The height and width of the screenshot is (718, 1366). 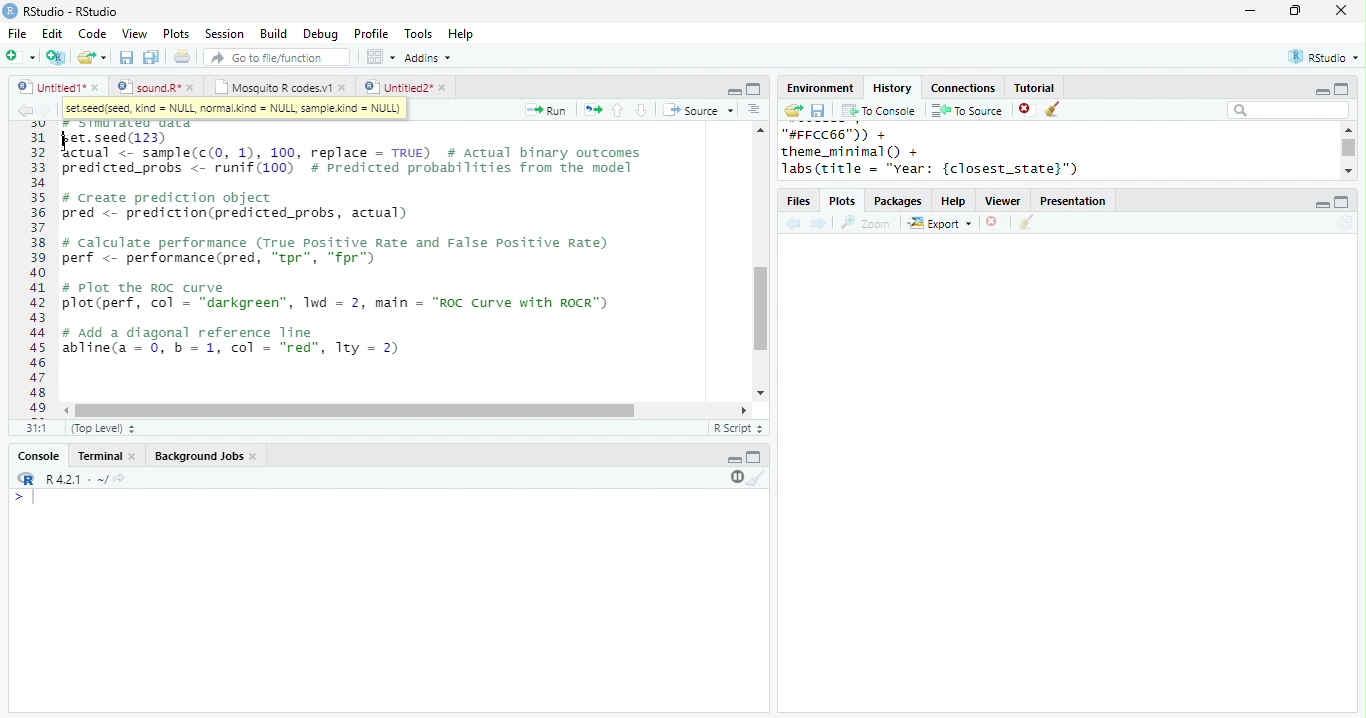 I want to click on "#FFCC66")) +theme_minimal() +labs(title = "year: {closest_state}"), so click(x=955, y=152).